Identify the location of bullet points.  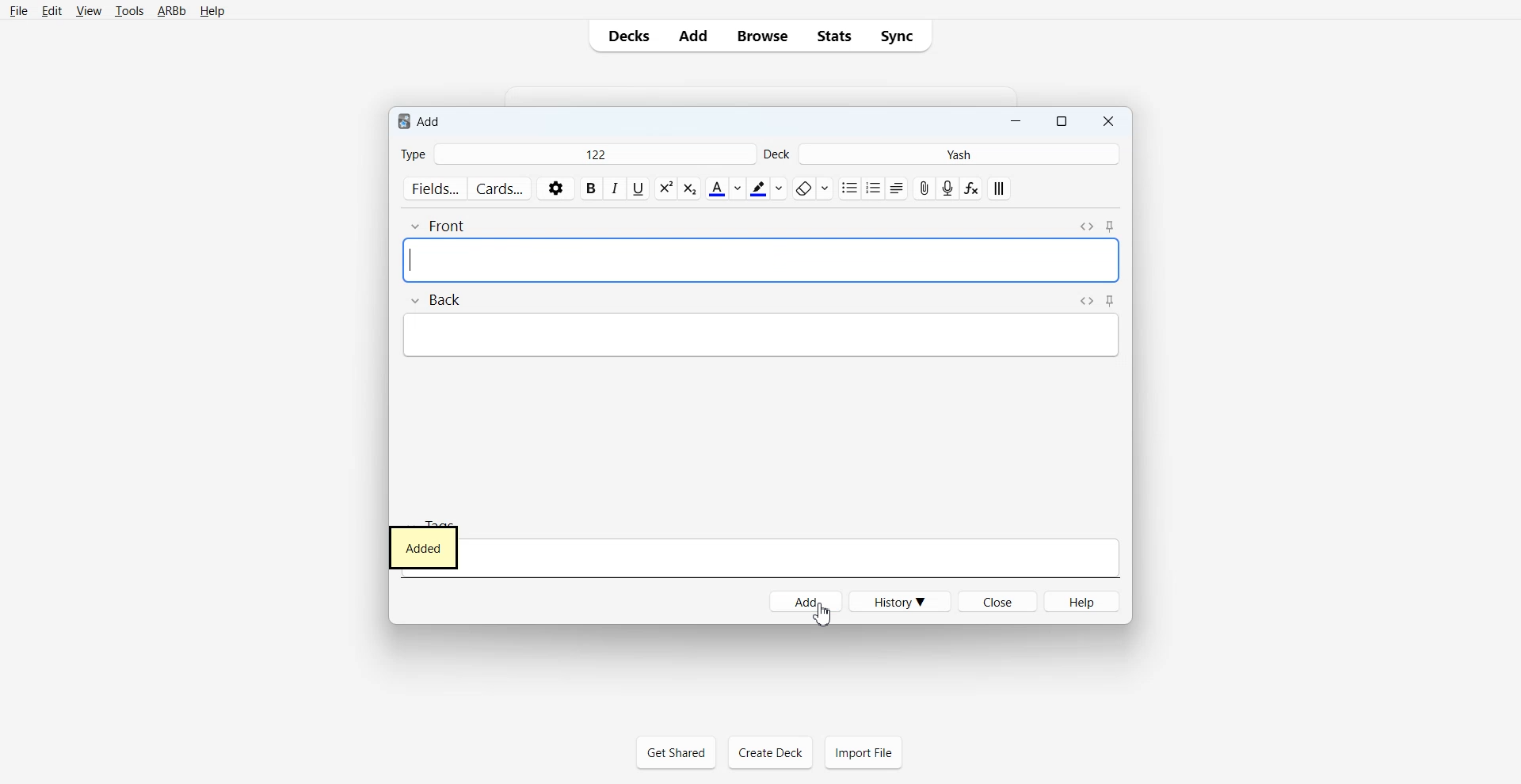
(869, 185).